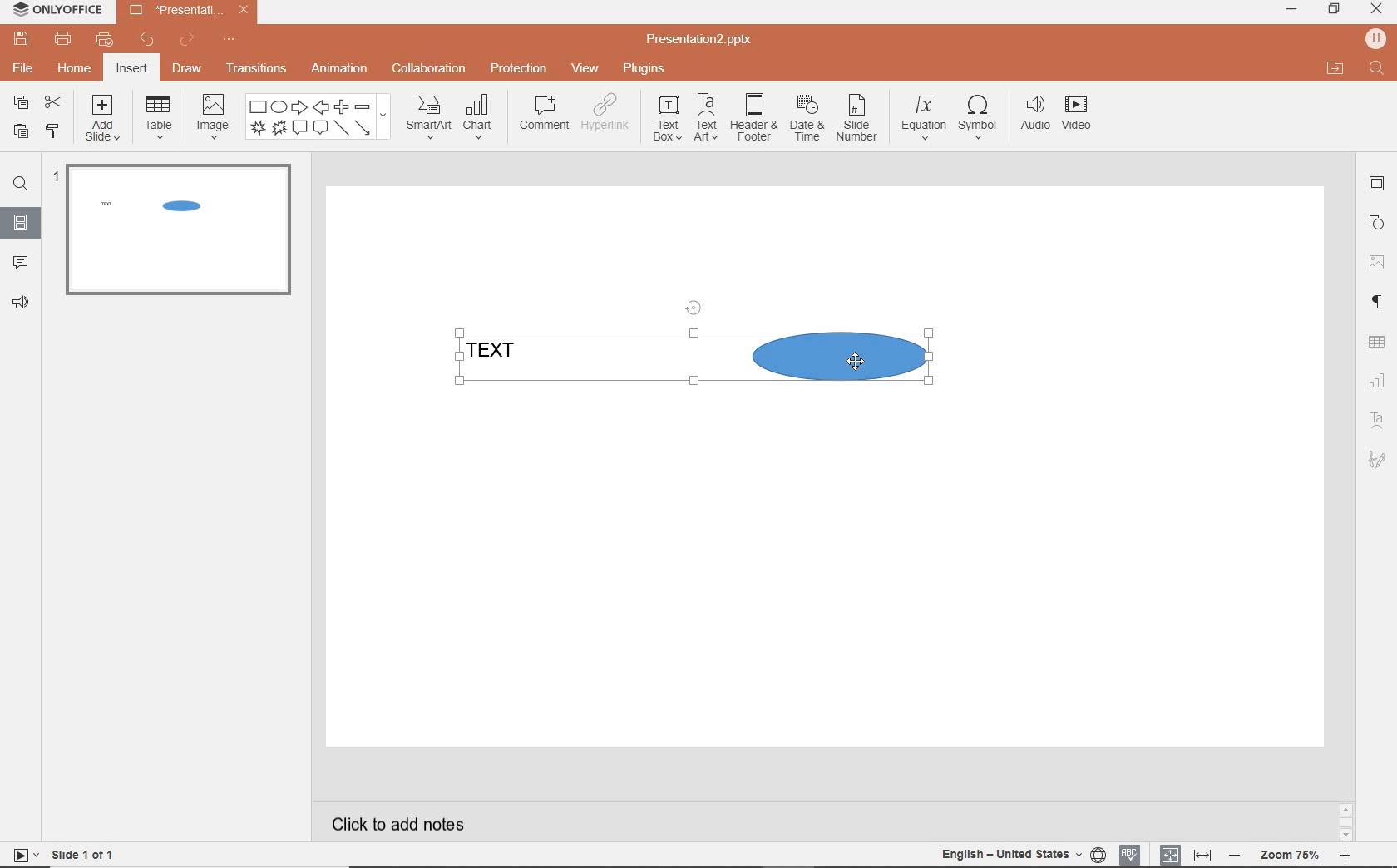 This screenshot has width=1397, height=868. I want to click on Presentation2.pptx, so click(700, 40).